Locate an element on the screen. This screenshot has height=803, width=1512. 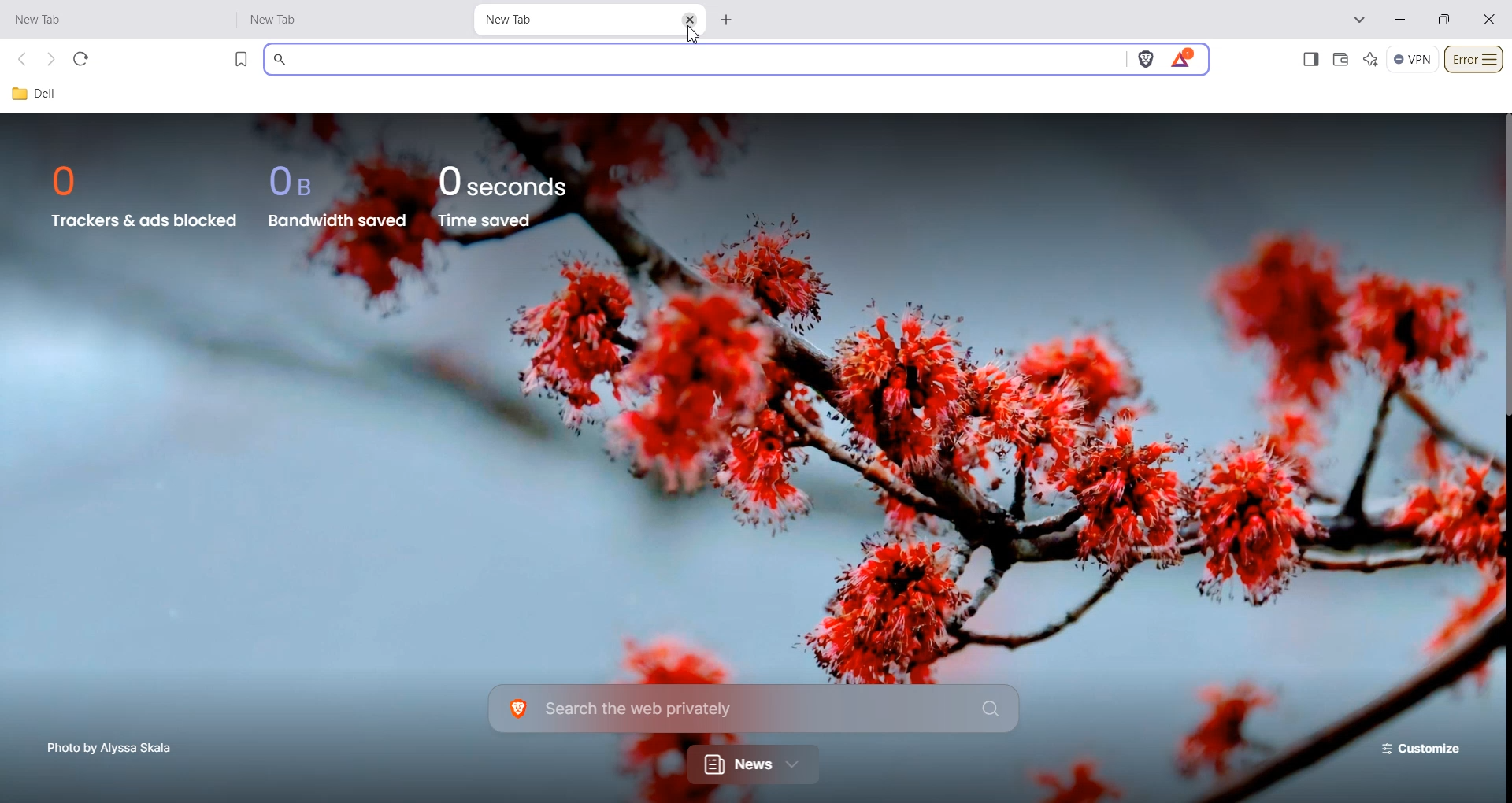
New Tab is located at coordinates (572, 20).